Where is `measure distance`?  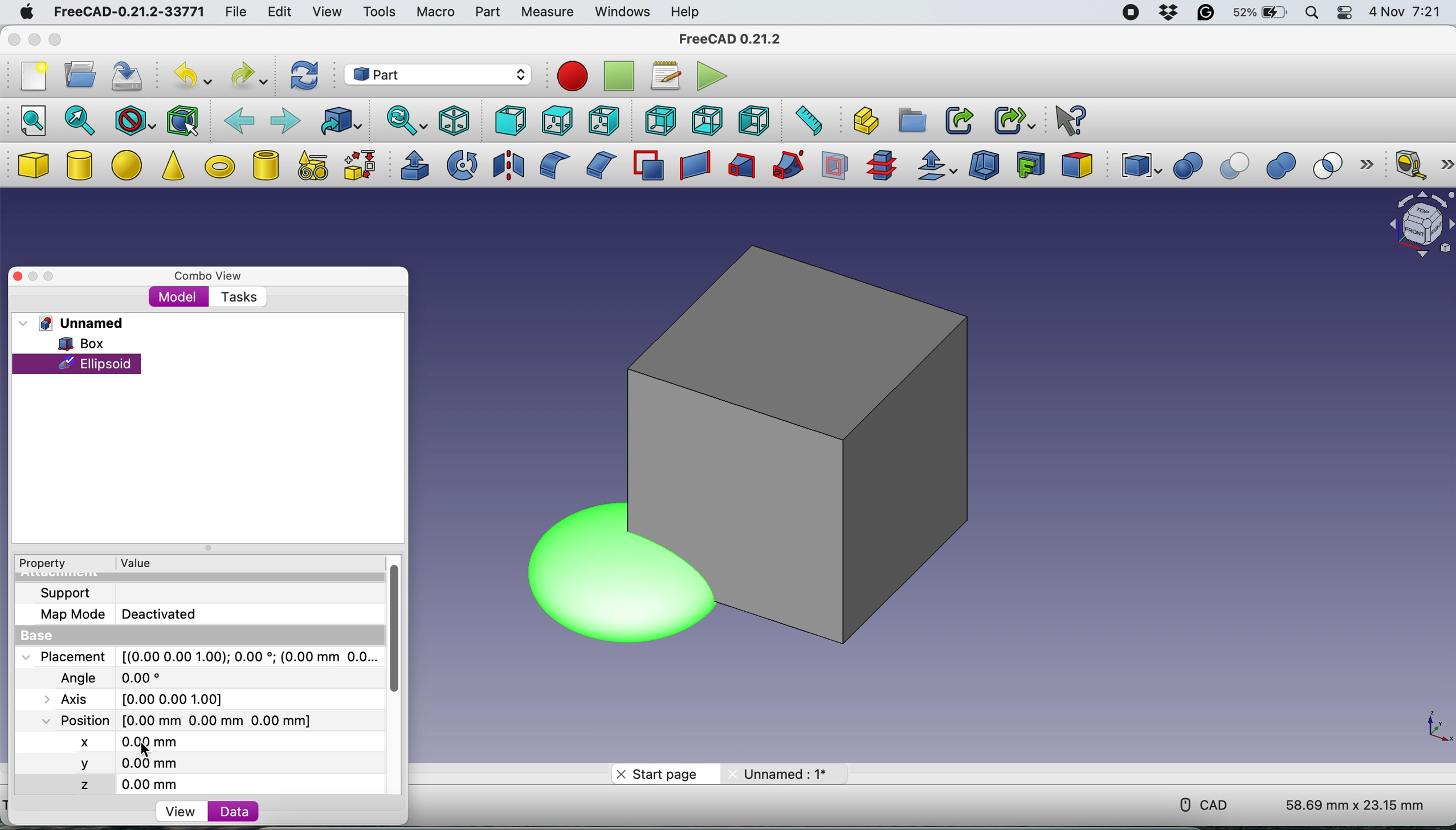 measure distance is located at coordinates (805, 120).